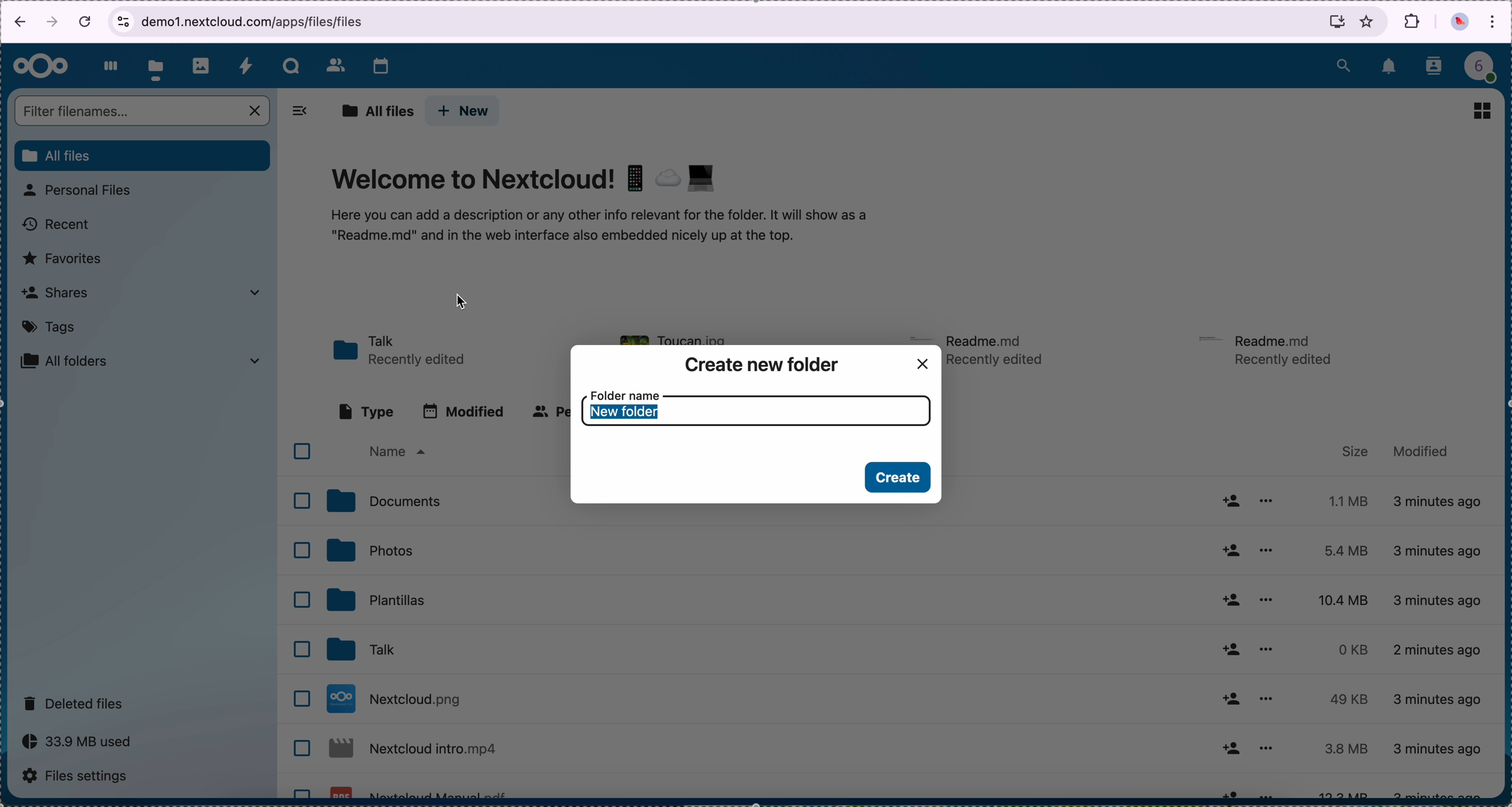 This screenshot has height=807, width=1512. What do you see at coordinates (398, 698) in the screenshot?
I see `Nextcloud file` at bounding box center [398, 698].